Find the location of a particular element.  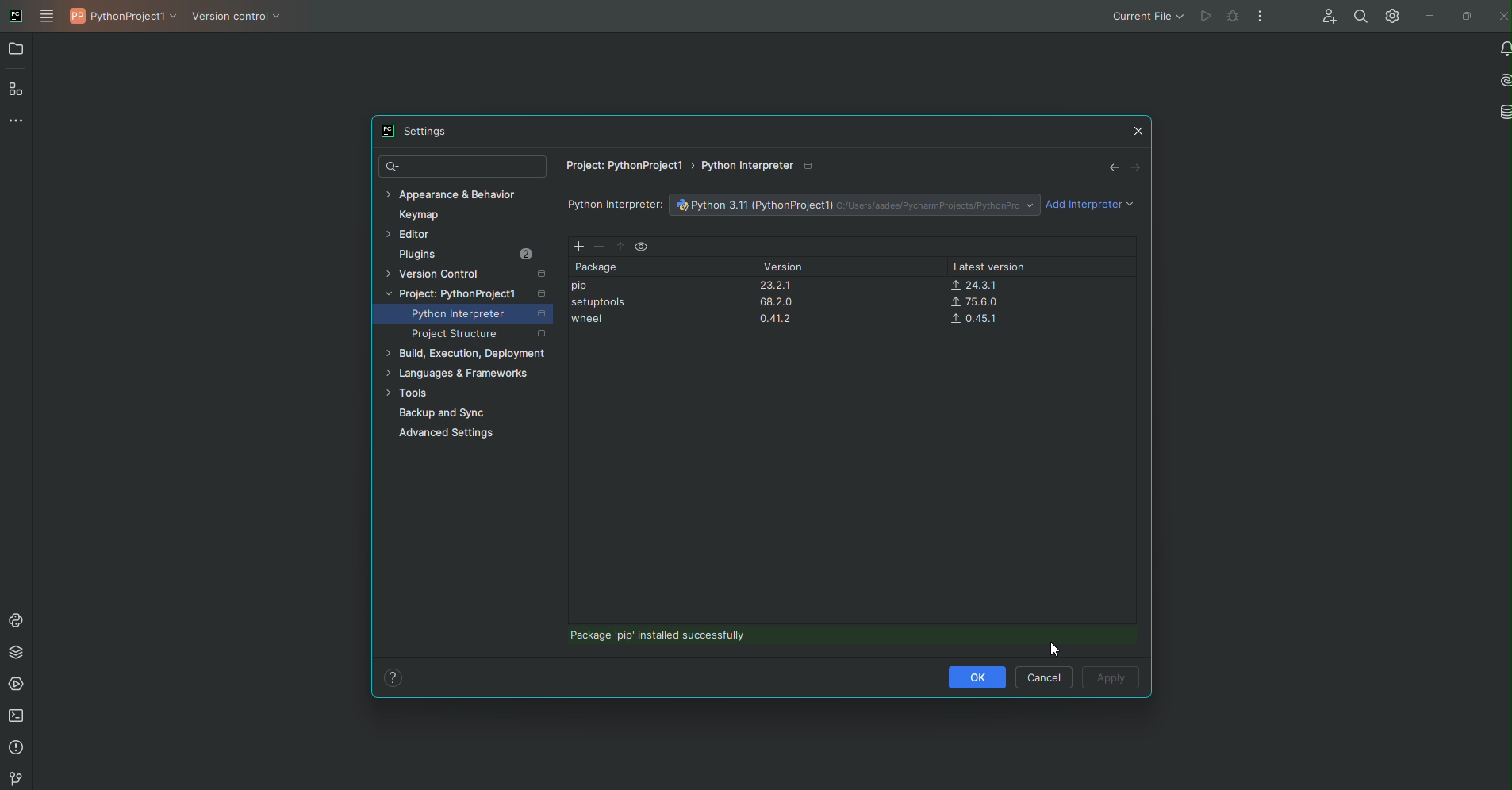

Find is located at coordinates (1357, 15).